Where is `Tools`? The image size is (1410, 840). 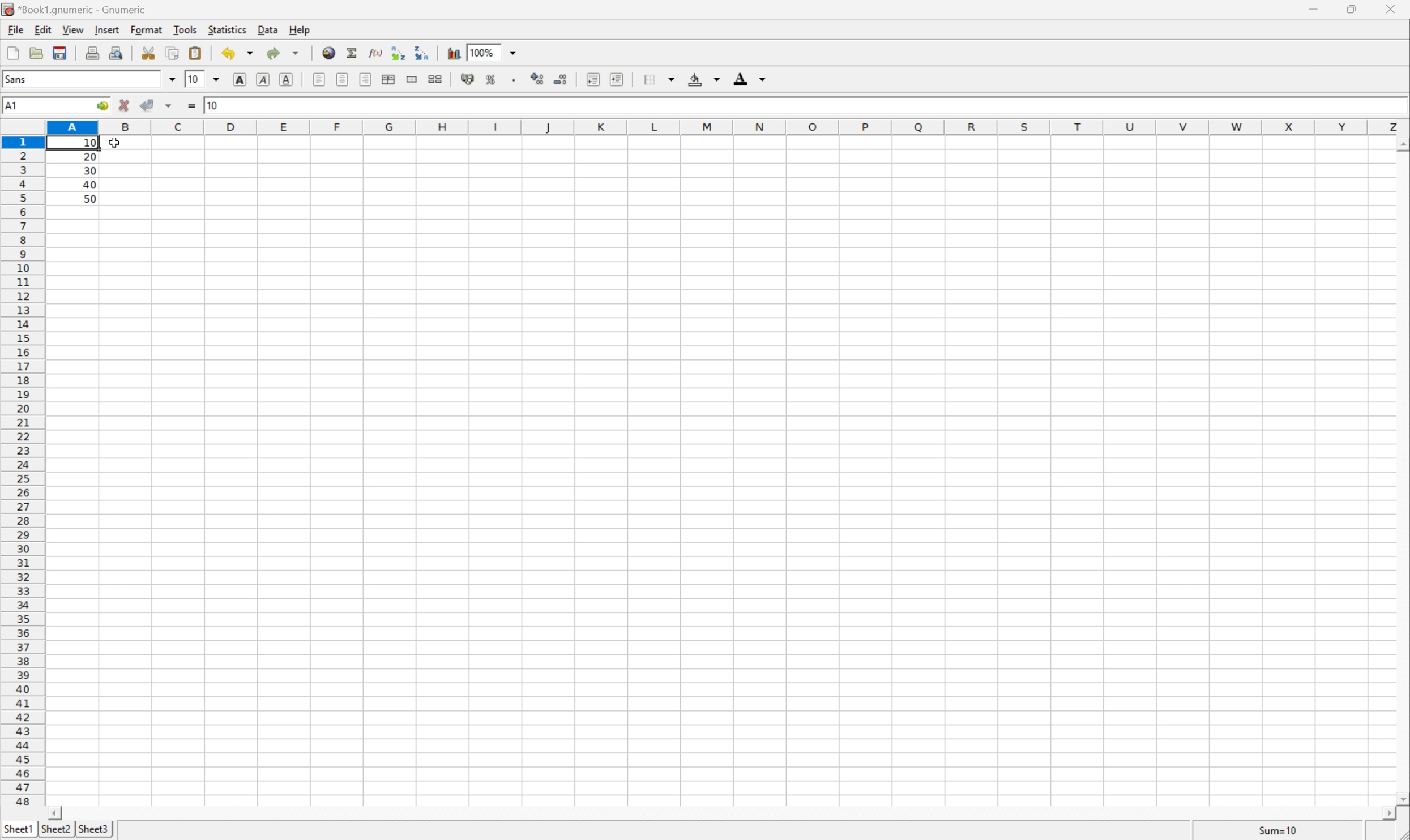
Tools is located at coordinates (184, 29).